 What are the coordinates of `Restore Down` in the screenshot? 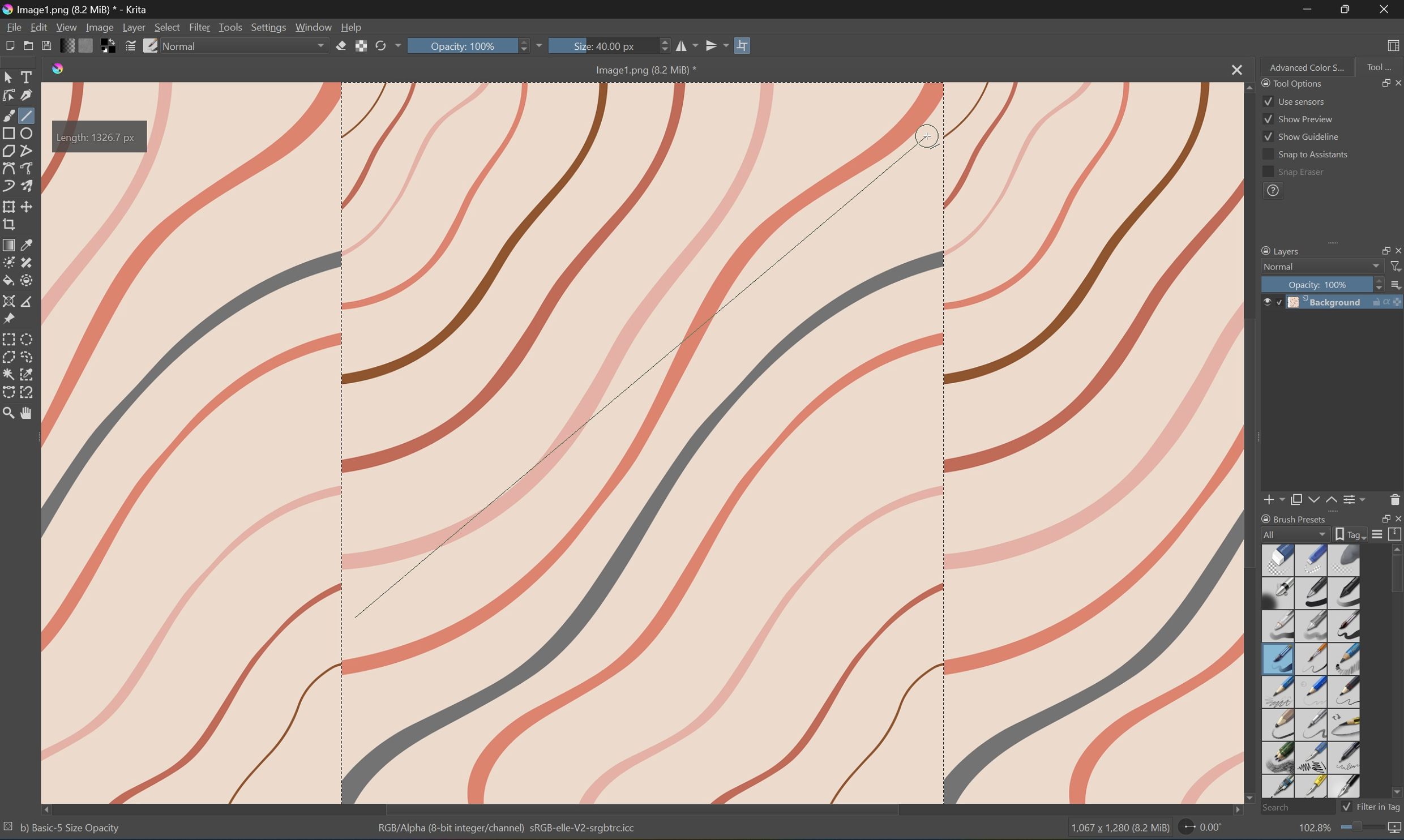 It's located at (1378, 250).